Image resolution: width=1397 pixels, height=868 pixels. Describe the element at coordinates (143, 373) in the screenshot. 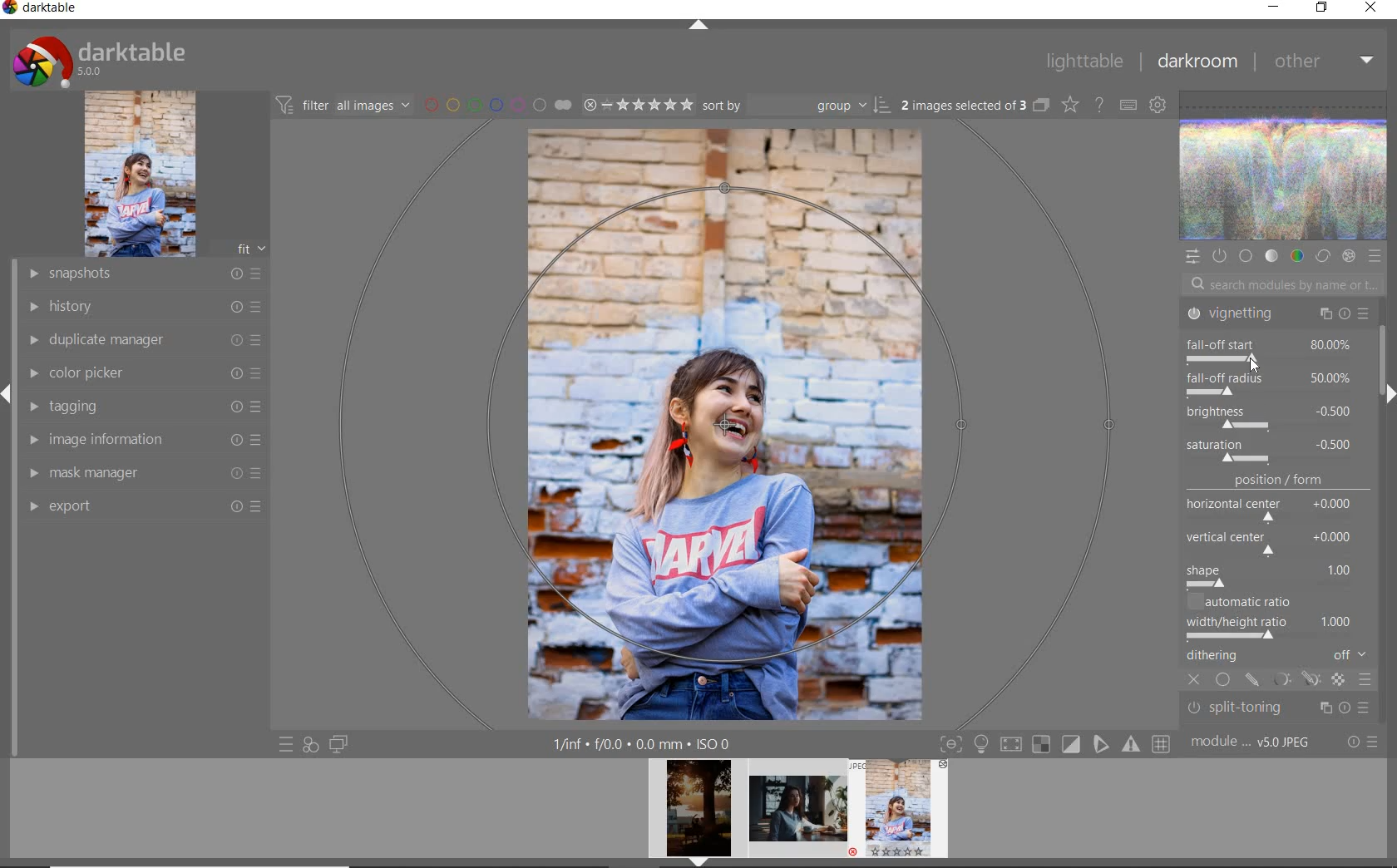

I see `color picker` at that location.